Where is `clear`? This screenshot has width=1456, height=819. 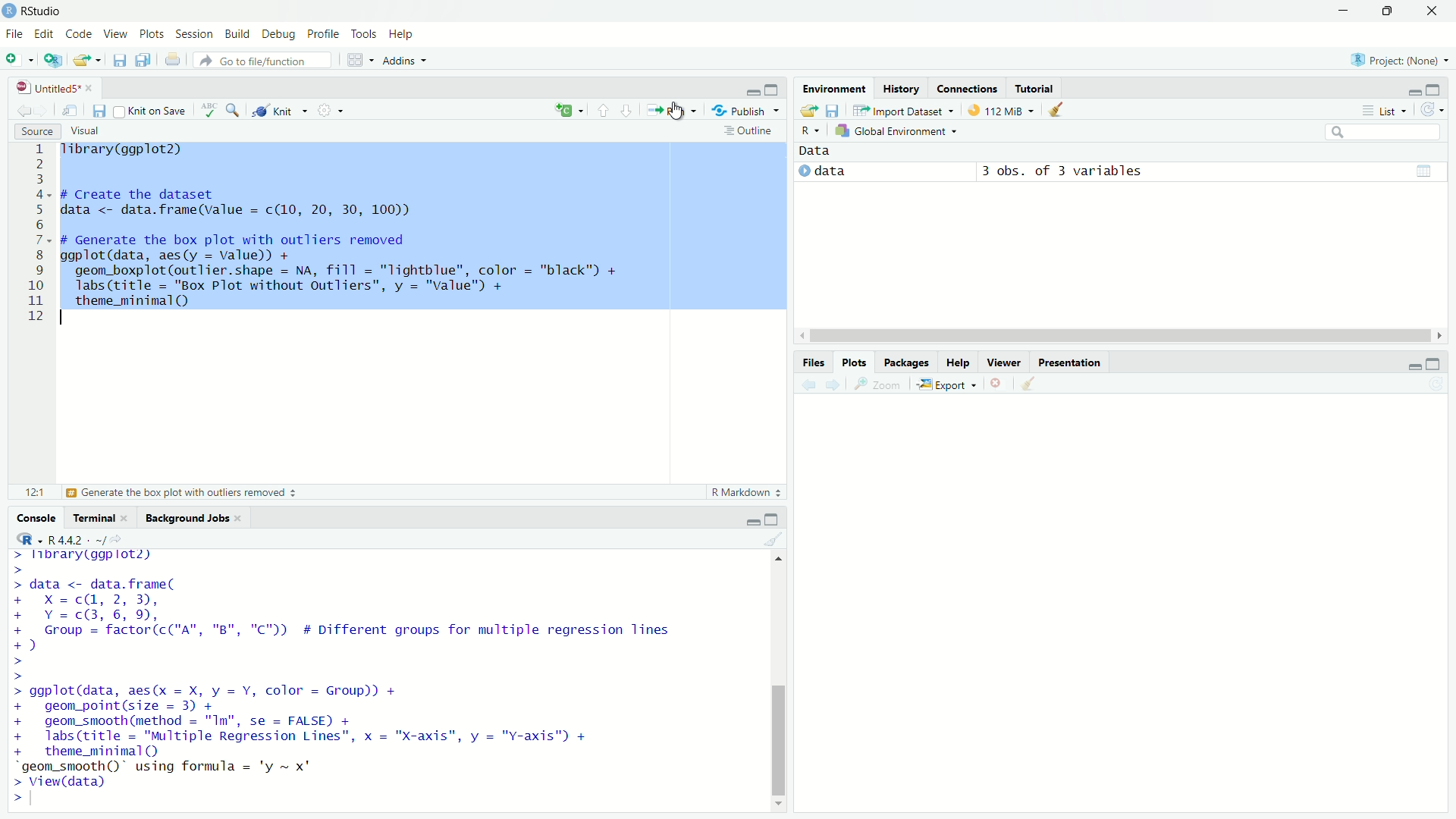 clear is located at coordinates (1053, 111).